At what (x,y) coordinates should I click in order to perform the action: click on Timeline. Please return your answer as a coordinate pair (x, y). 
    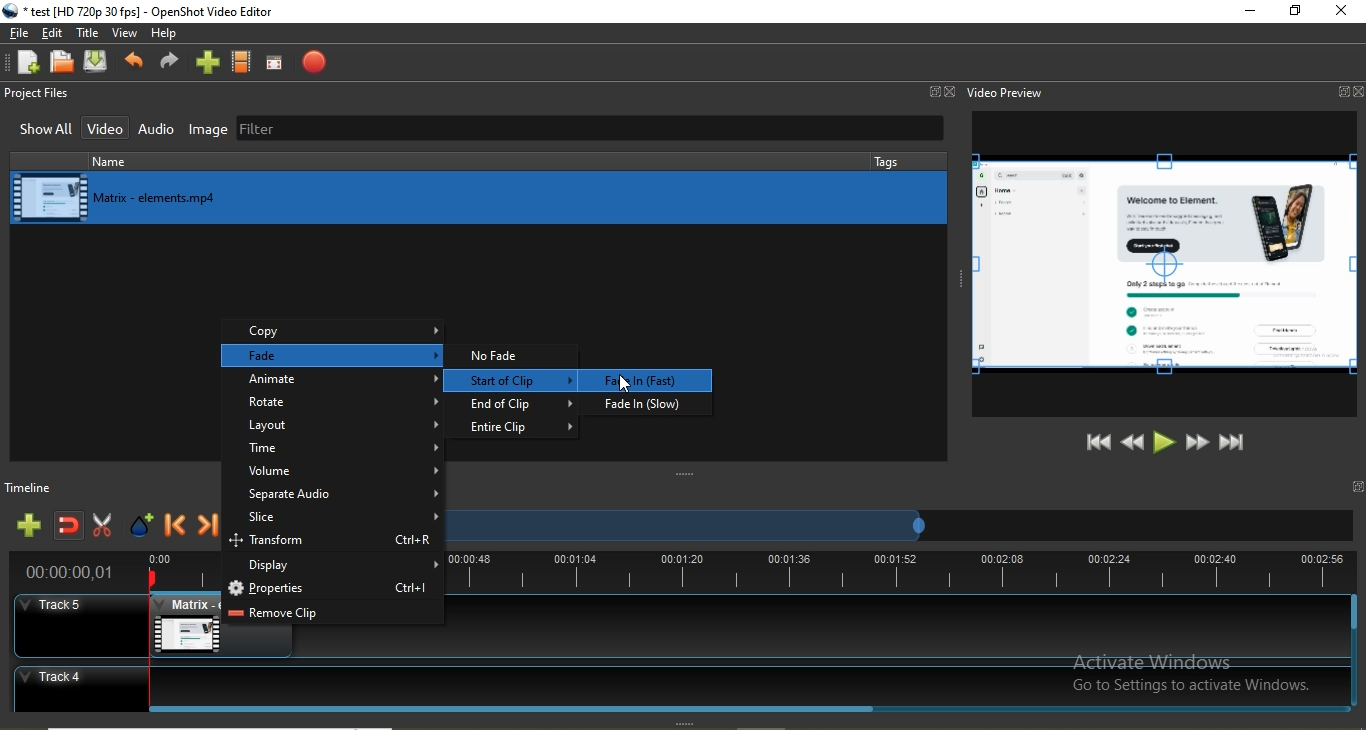
    Looking at the image, I should click on (37, 486).